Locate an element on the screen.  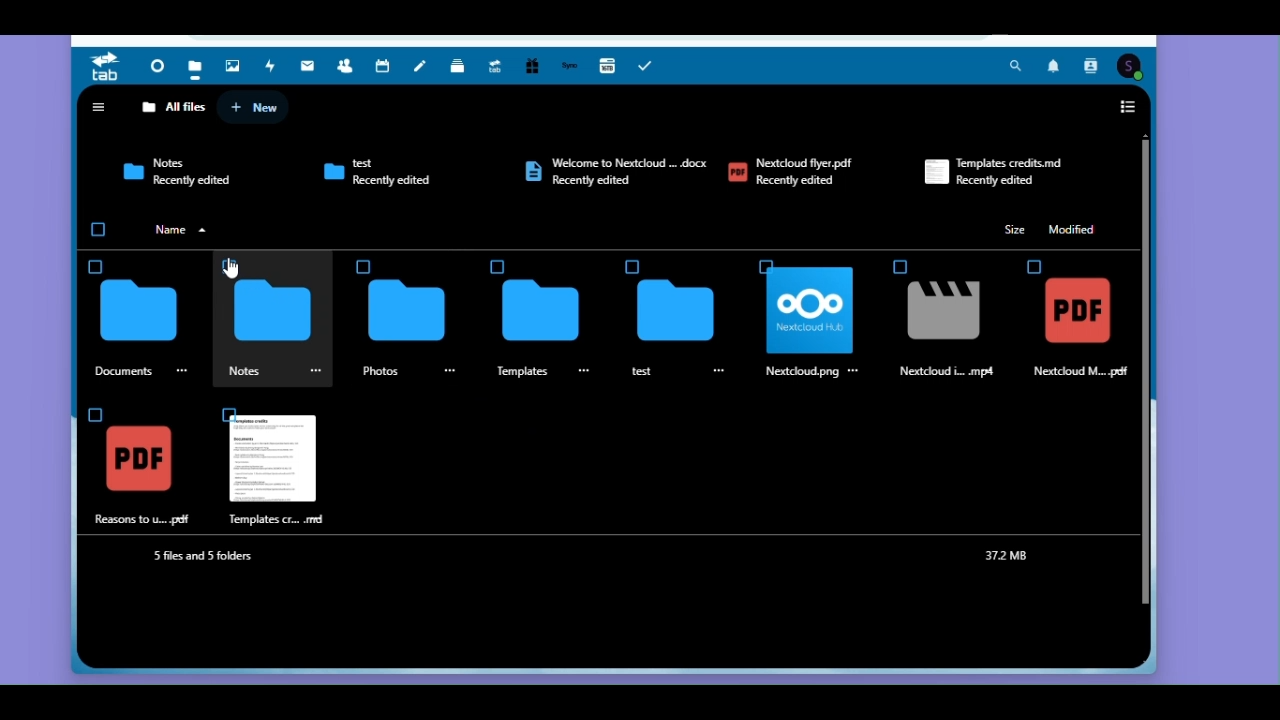
16TB is located at coordinates (610, 65).